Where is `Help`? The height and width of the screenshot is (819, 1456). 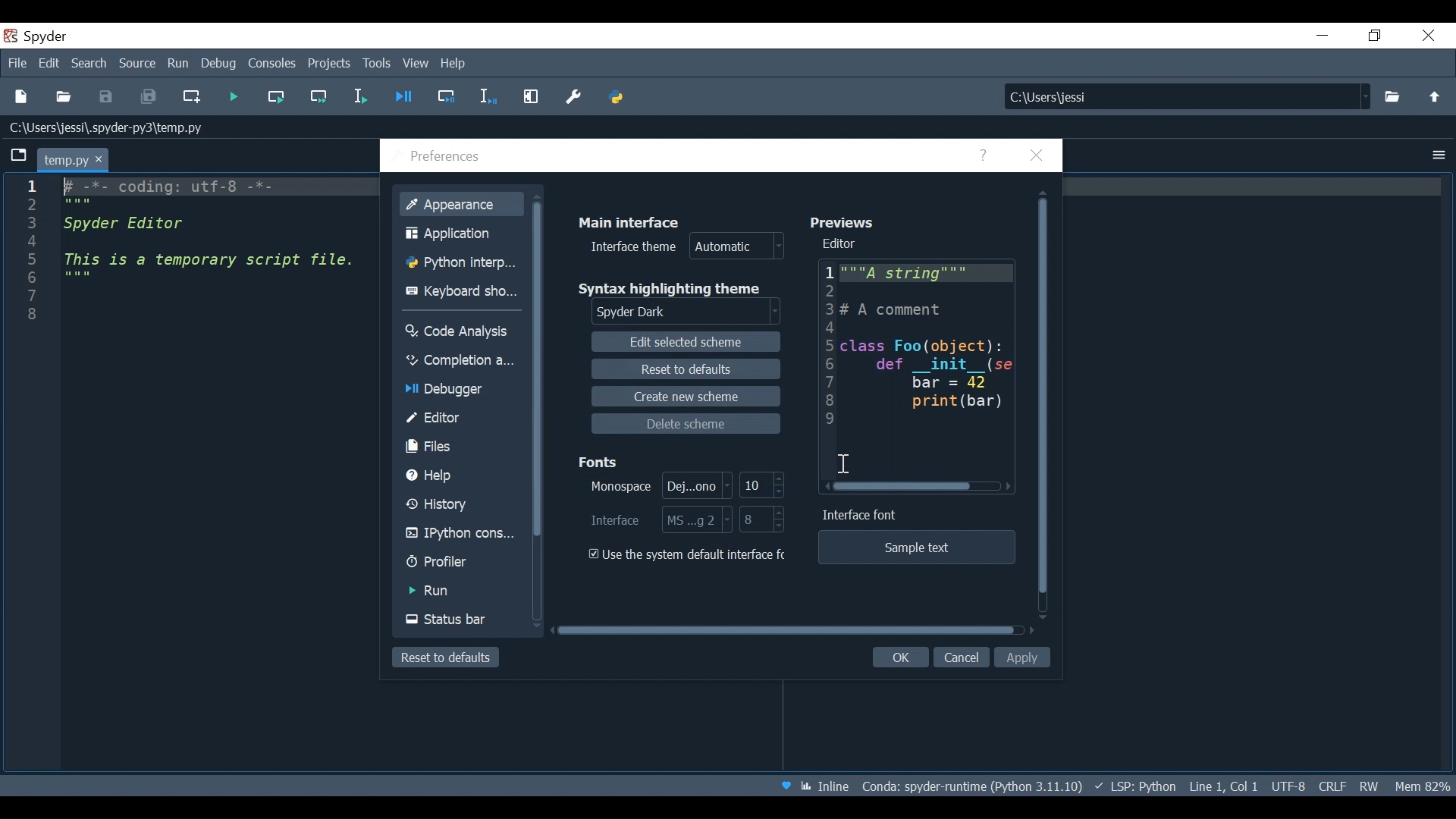 Help is located at coordinates (452, 63).